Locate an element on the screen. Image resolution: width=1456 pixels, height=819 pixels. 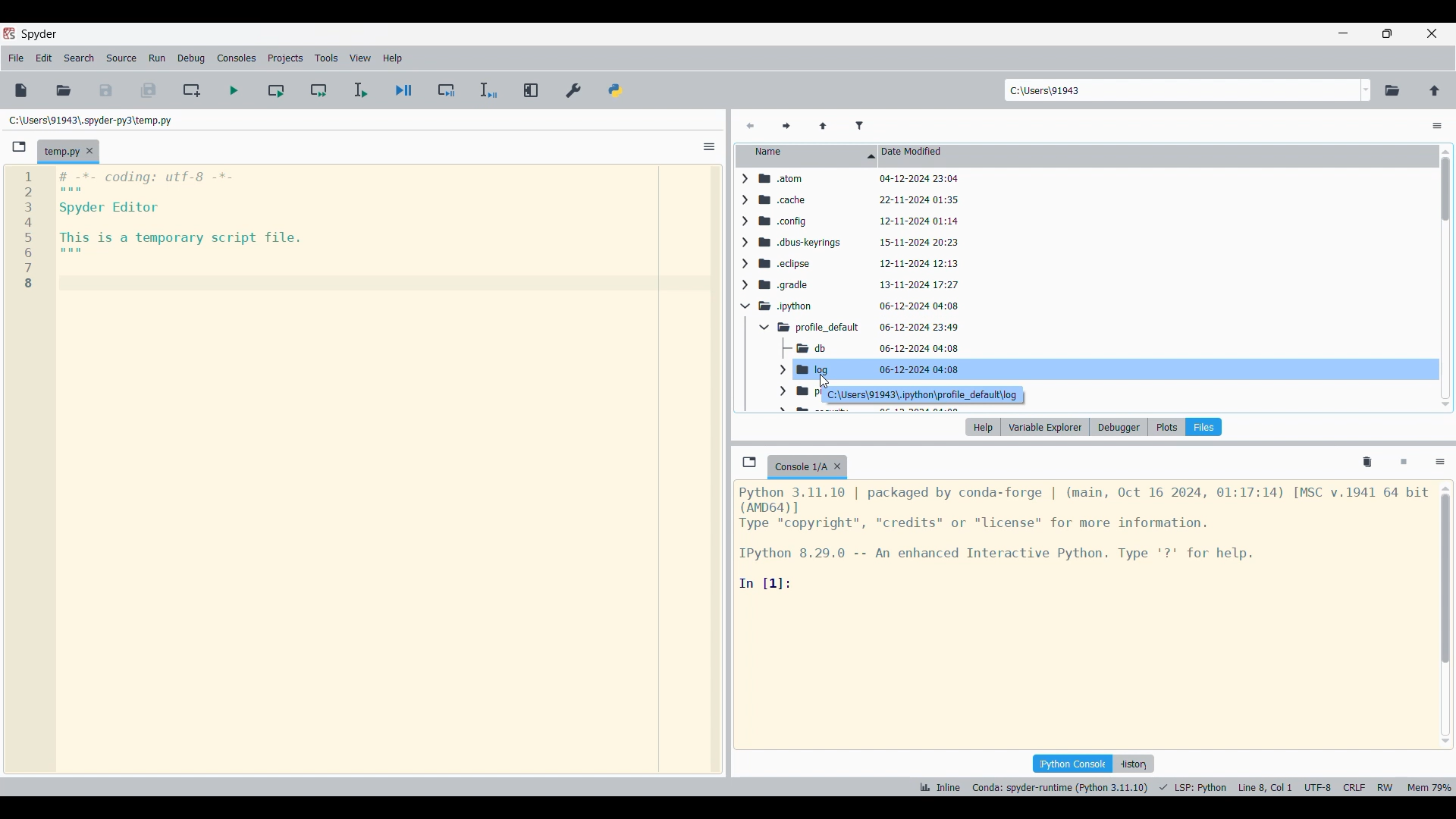
Date modified column is located at coordinates (1157, 156).